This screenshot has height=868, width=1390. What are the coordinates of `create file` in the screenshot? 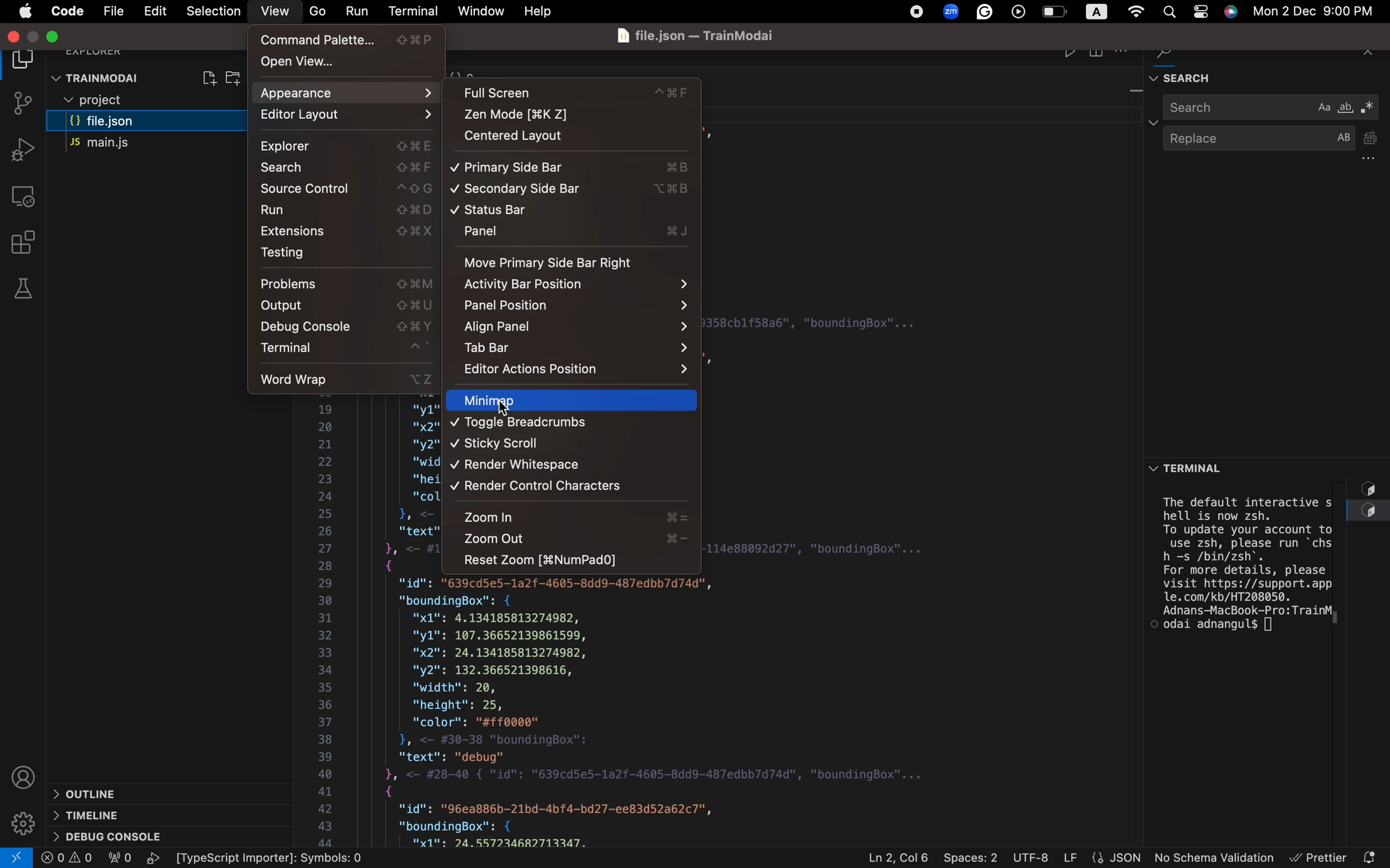 It's located at (208, 76).